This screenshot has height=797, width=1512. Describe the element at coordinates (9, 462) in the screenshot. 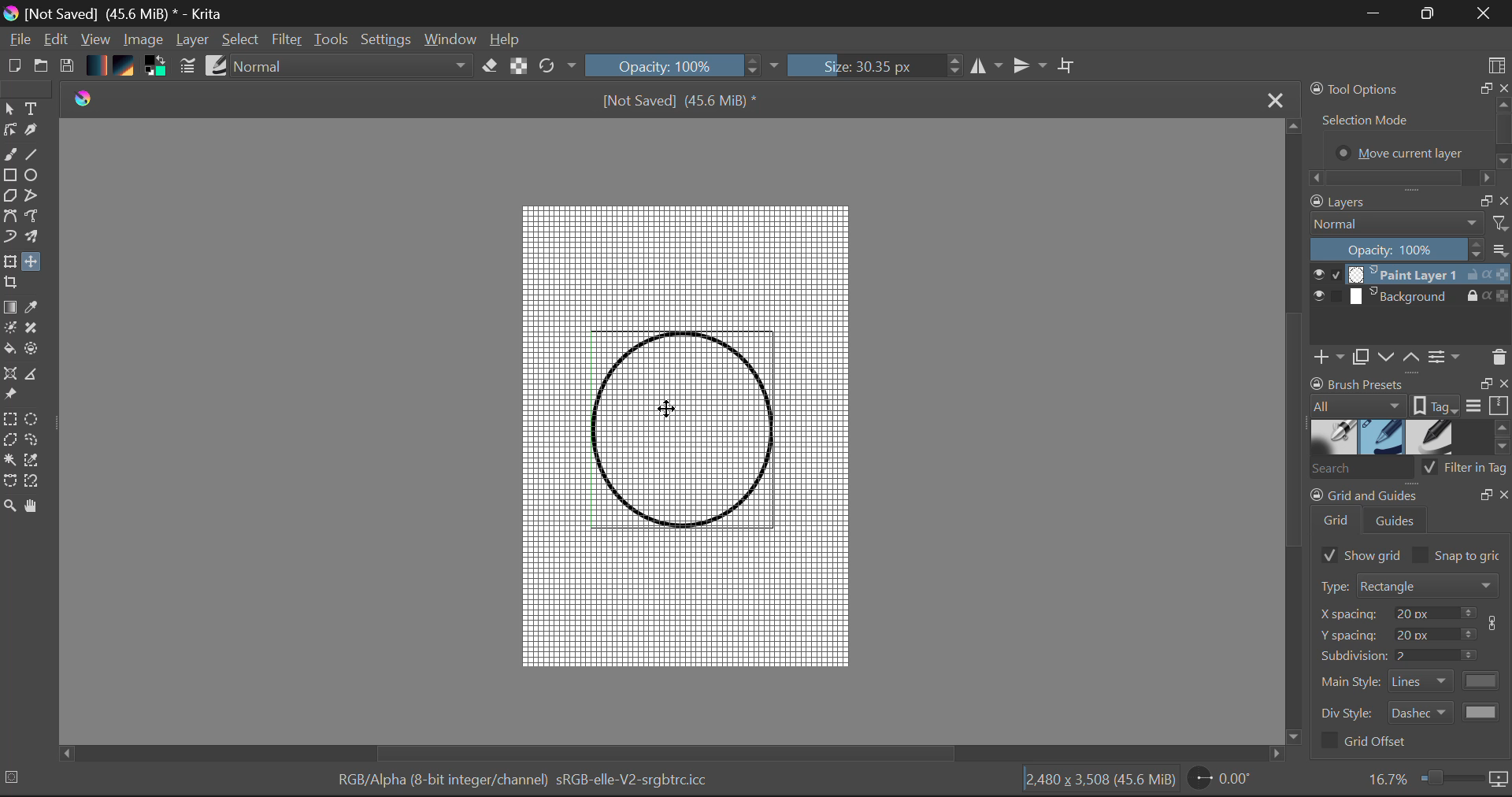

I see `Continuous Selection` at that location.